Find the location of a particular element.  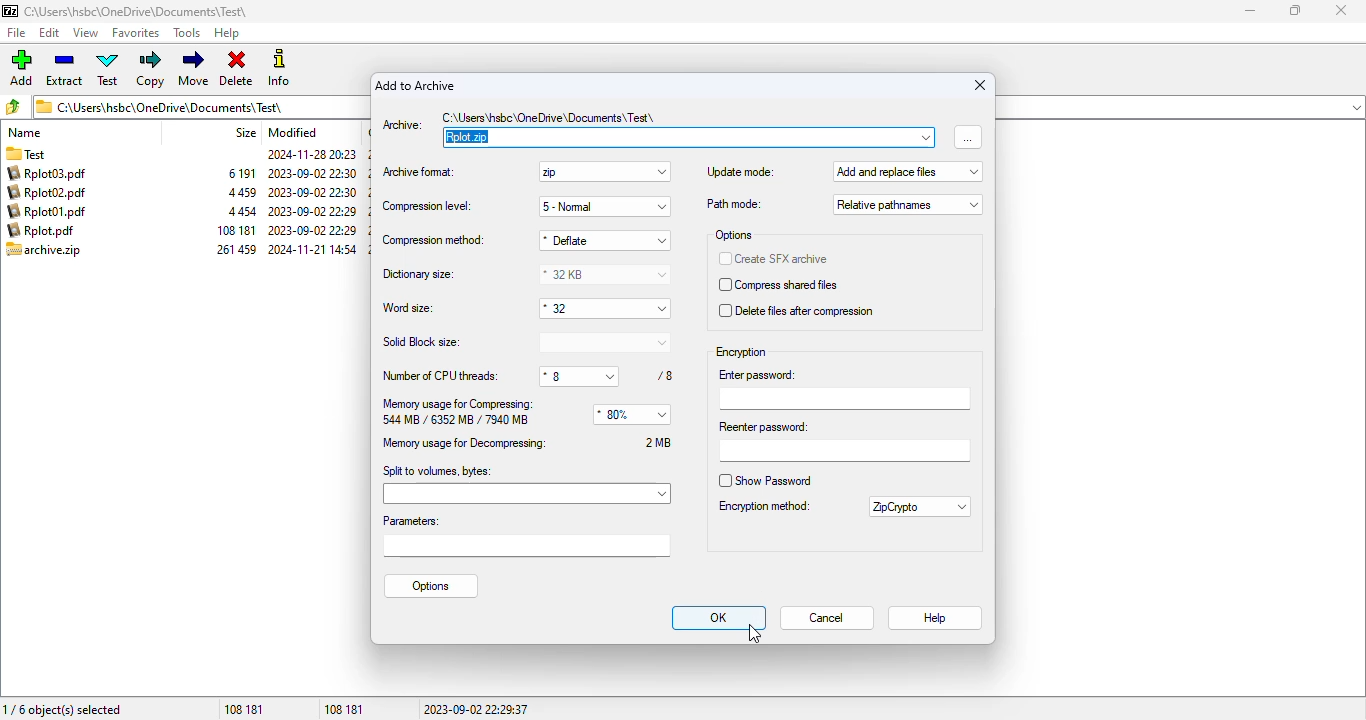

show password is located at coordinates (766, 480).